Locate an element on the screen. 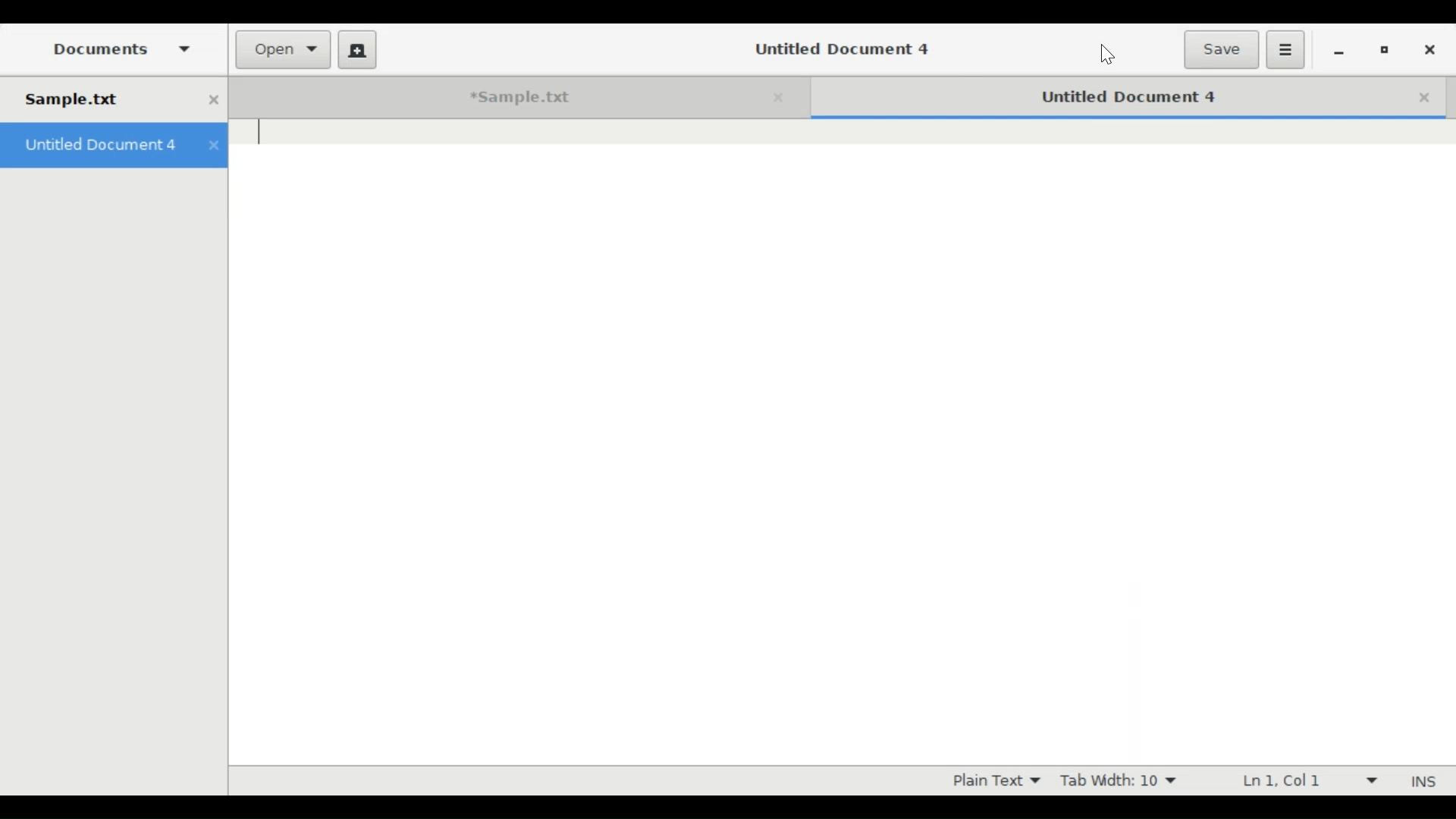 The height and width of the screenshot is (819, 1456). close is located at coordinates (214, 100).